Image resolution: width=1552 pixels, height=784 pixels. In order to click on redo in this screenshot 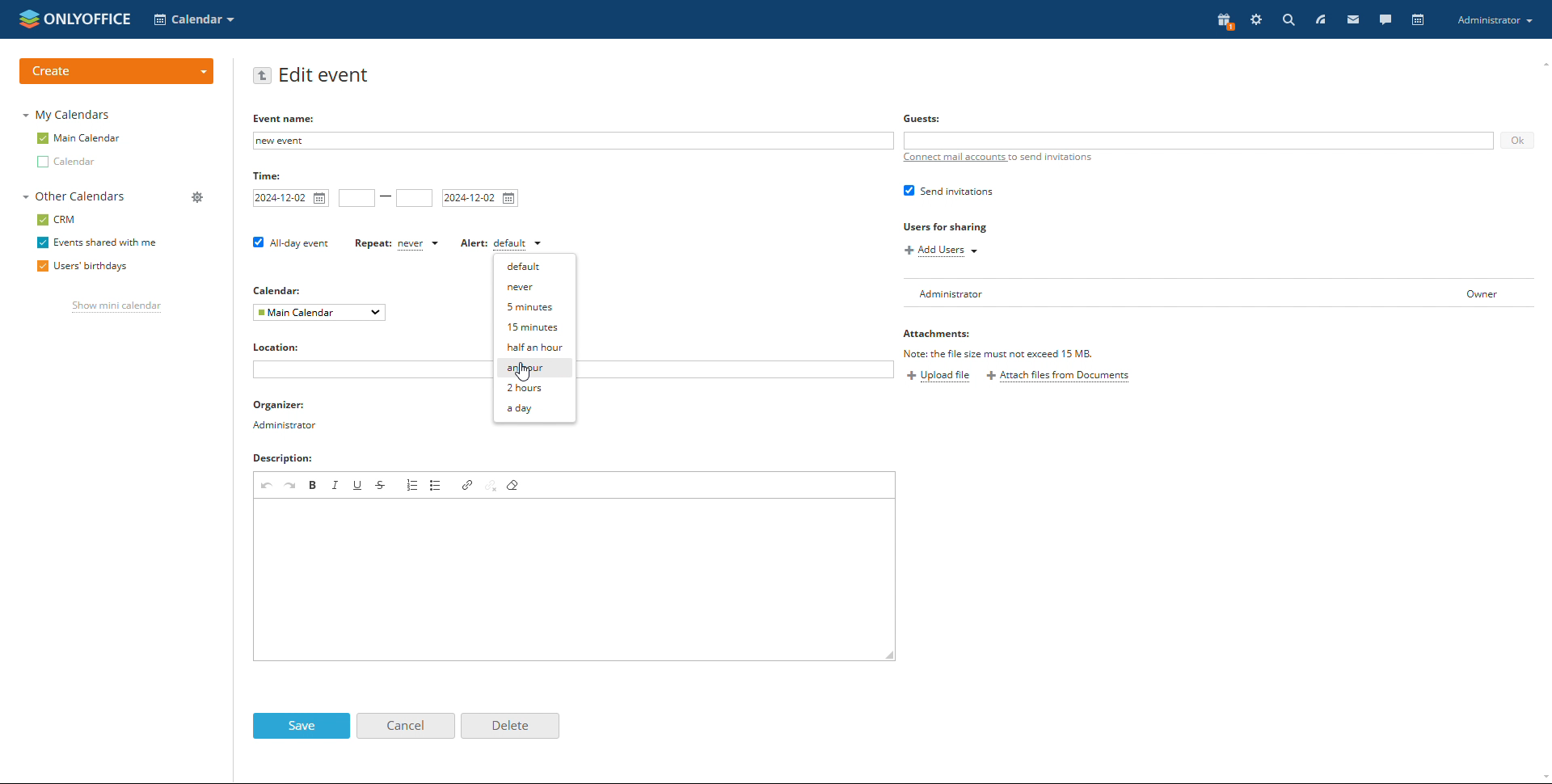, I will do `click(289, 484)`.